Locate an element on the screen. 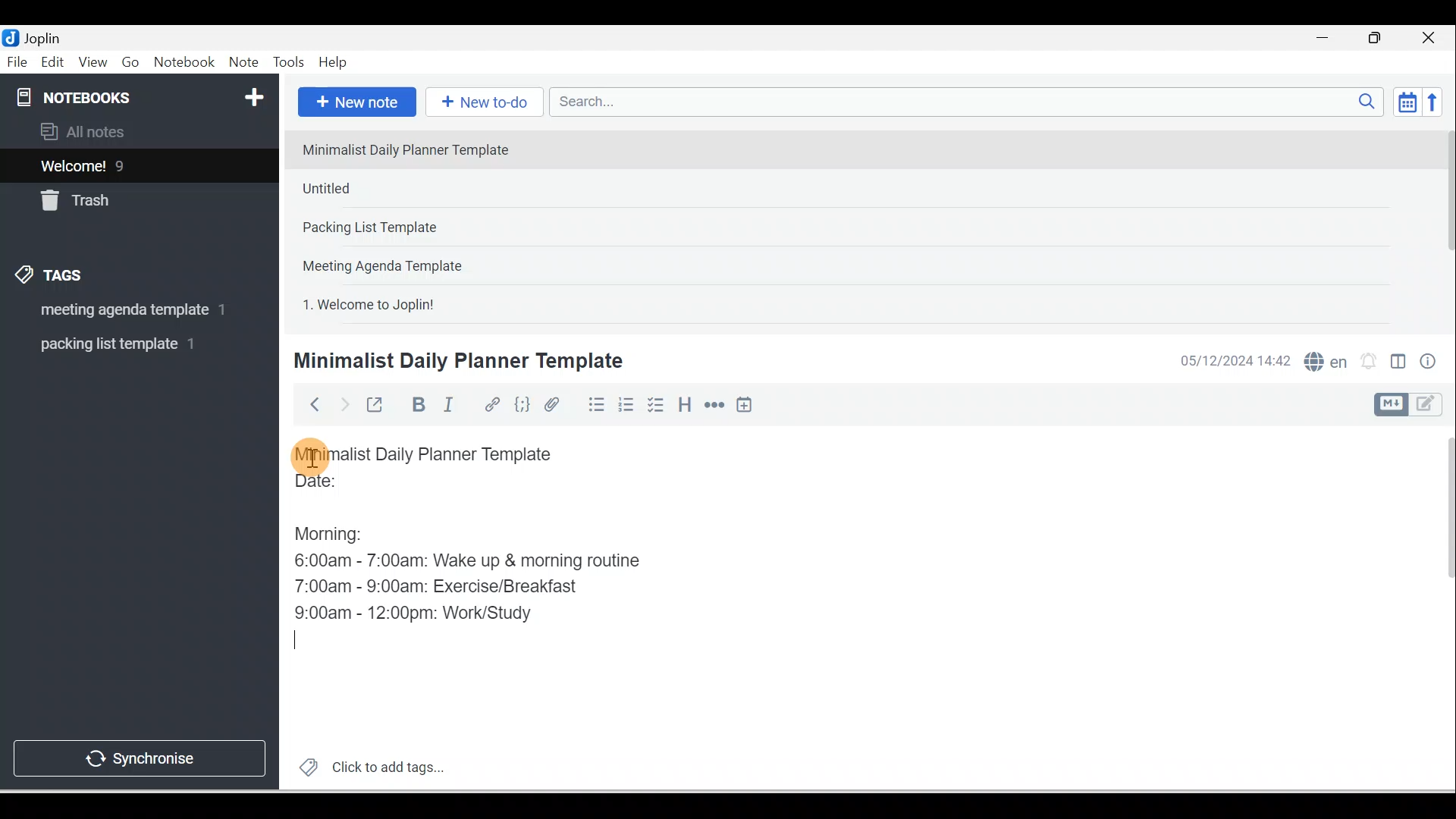 This screenshot has width=1456, height=819. Search bar is located at coordinates (971, 102).